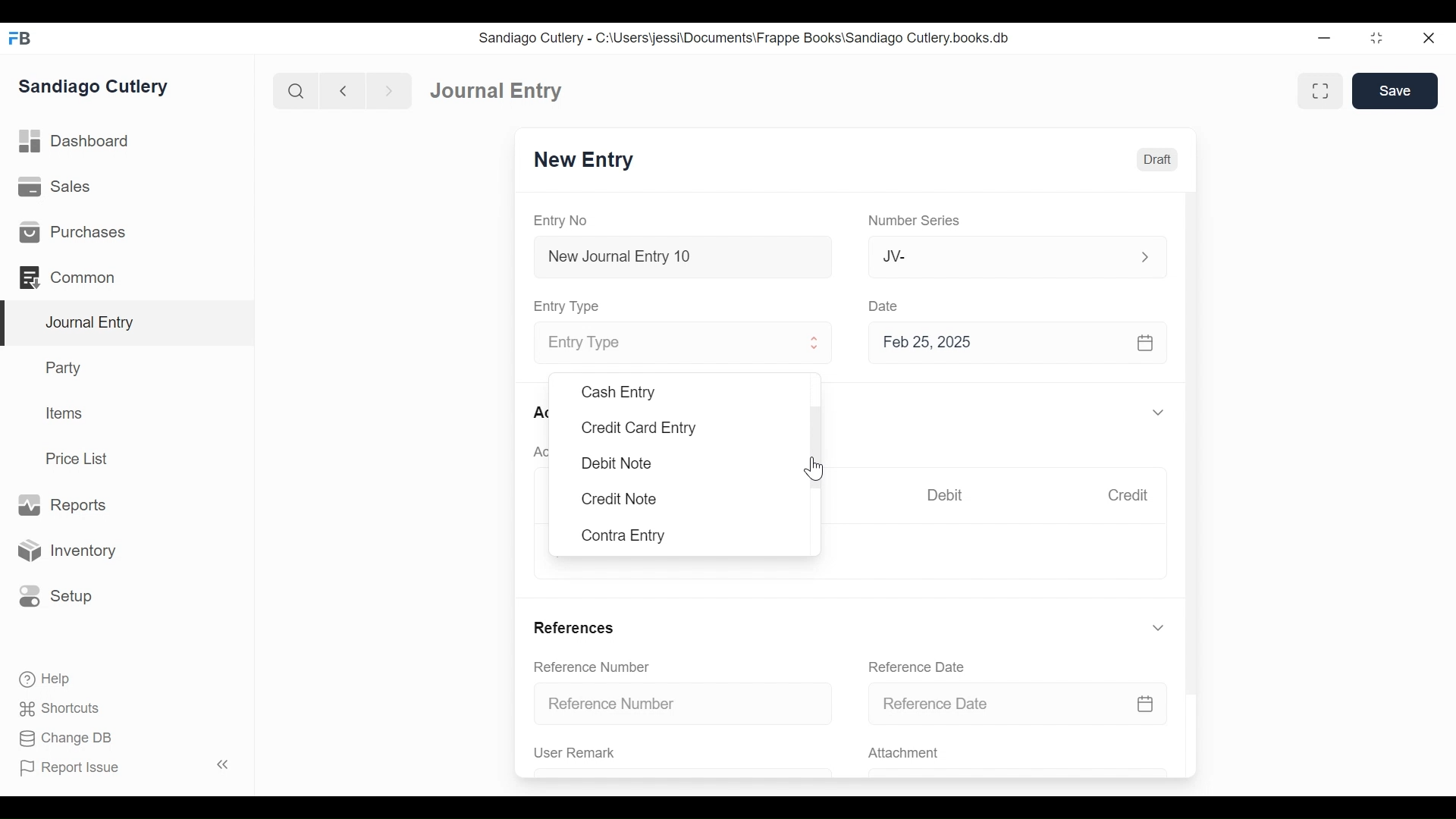  What do you see at coordinates (682, 256) in the screenshot?
I see `New Journal Entry 10` at bounding box center [682, 256].